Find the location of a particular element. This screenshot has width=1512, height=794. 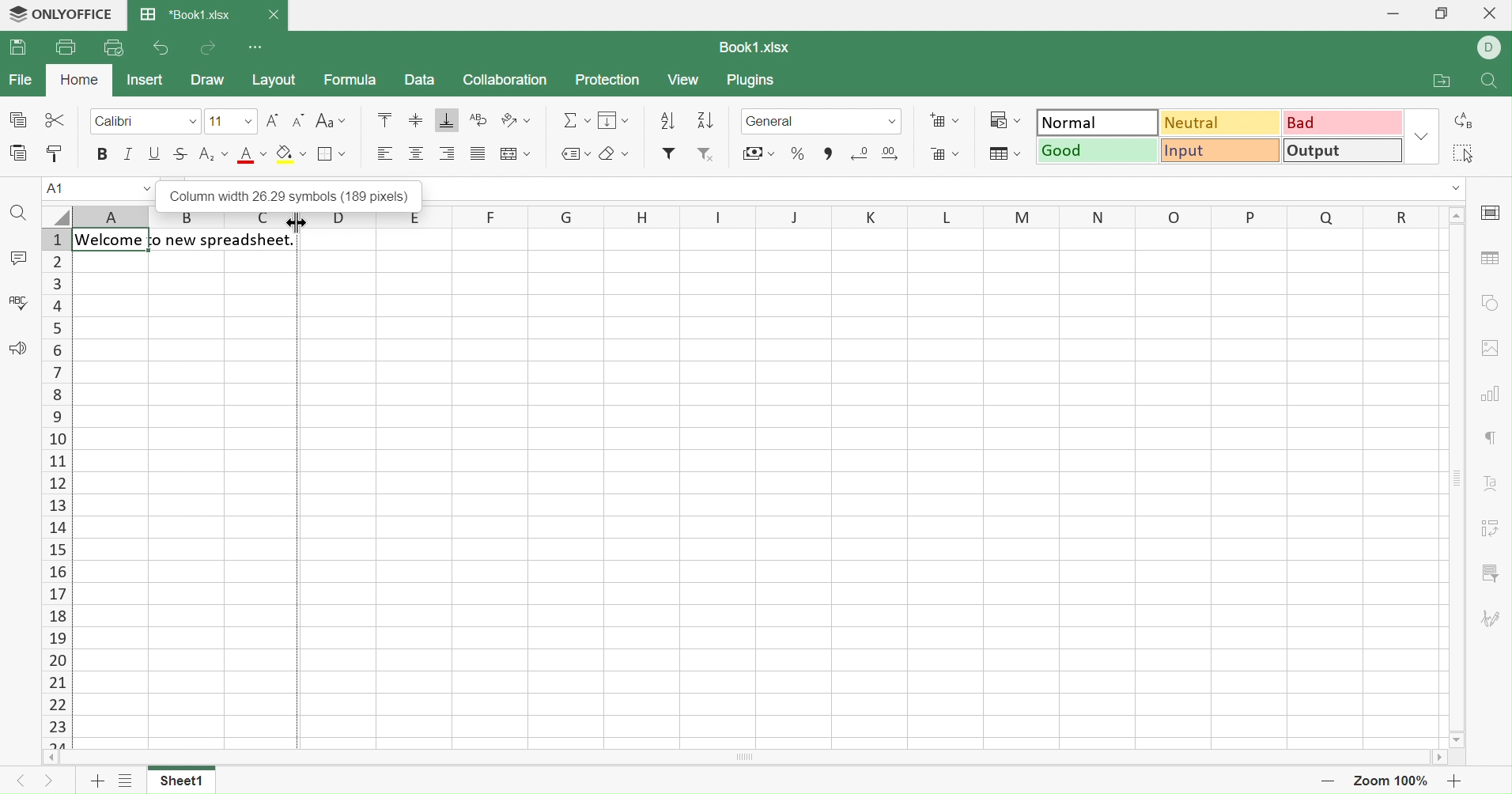

Justified is located at coordinates (478, 155).